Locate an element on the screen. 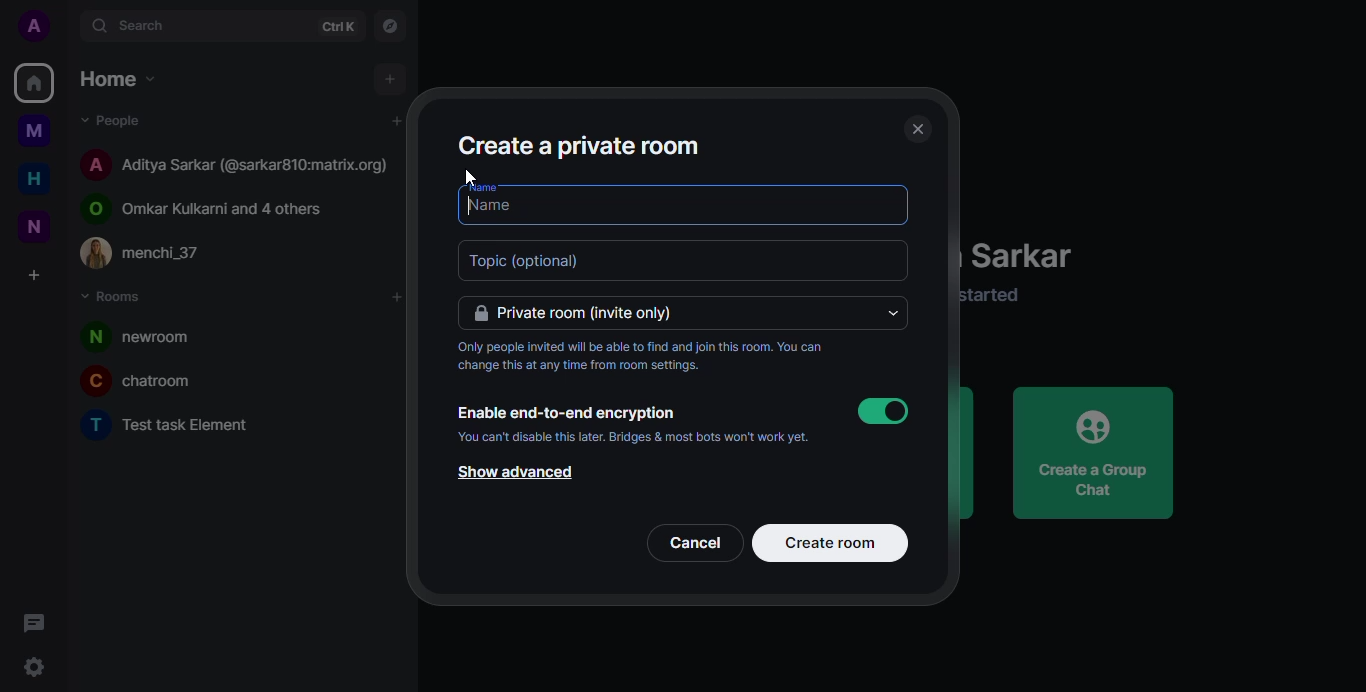 This screenshot has height=692, width=1366. info is located at coordinates (1009, 297).